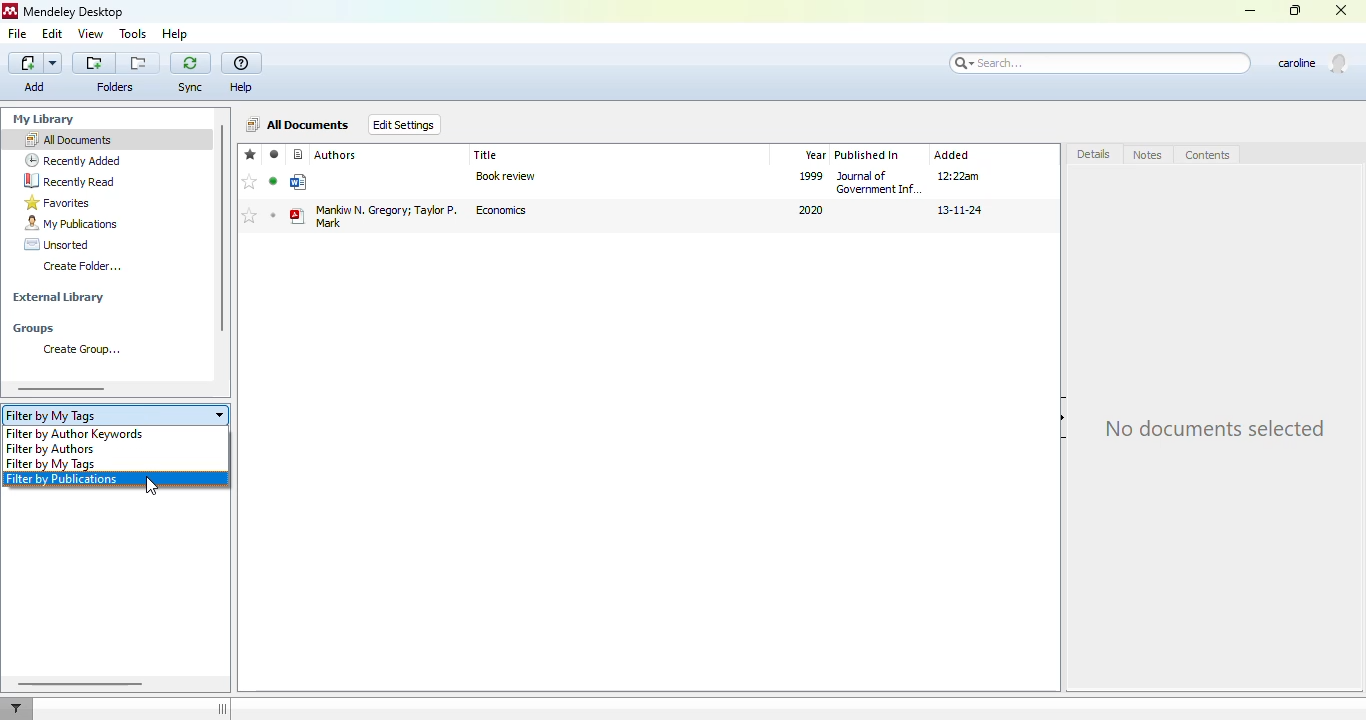 The width and height of the screenshot is (1366, 720). I want to click on cursor, so click(152, 485).